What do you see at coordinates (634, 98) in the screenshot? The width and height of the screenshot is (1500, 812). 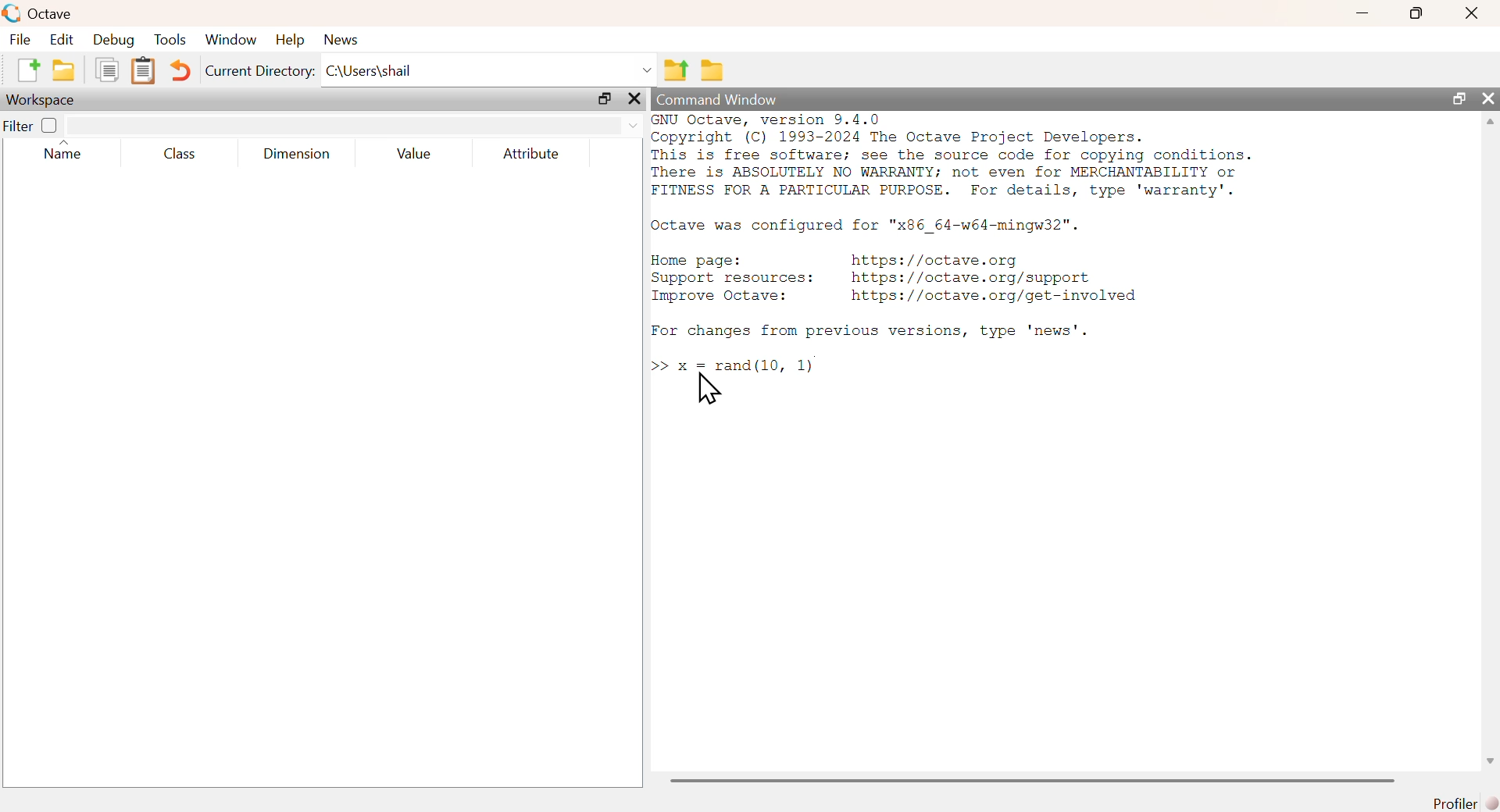 I see `close` at bounding box center [634, 98].